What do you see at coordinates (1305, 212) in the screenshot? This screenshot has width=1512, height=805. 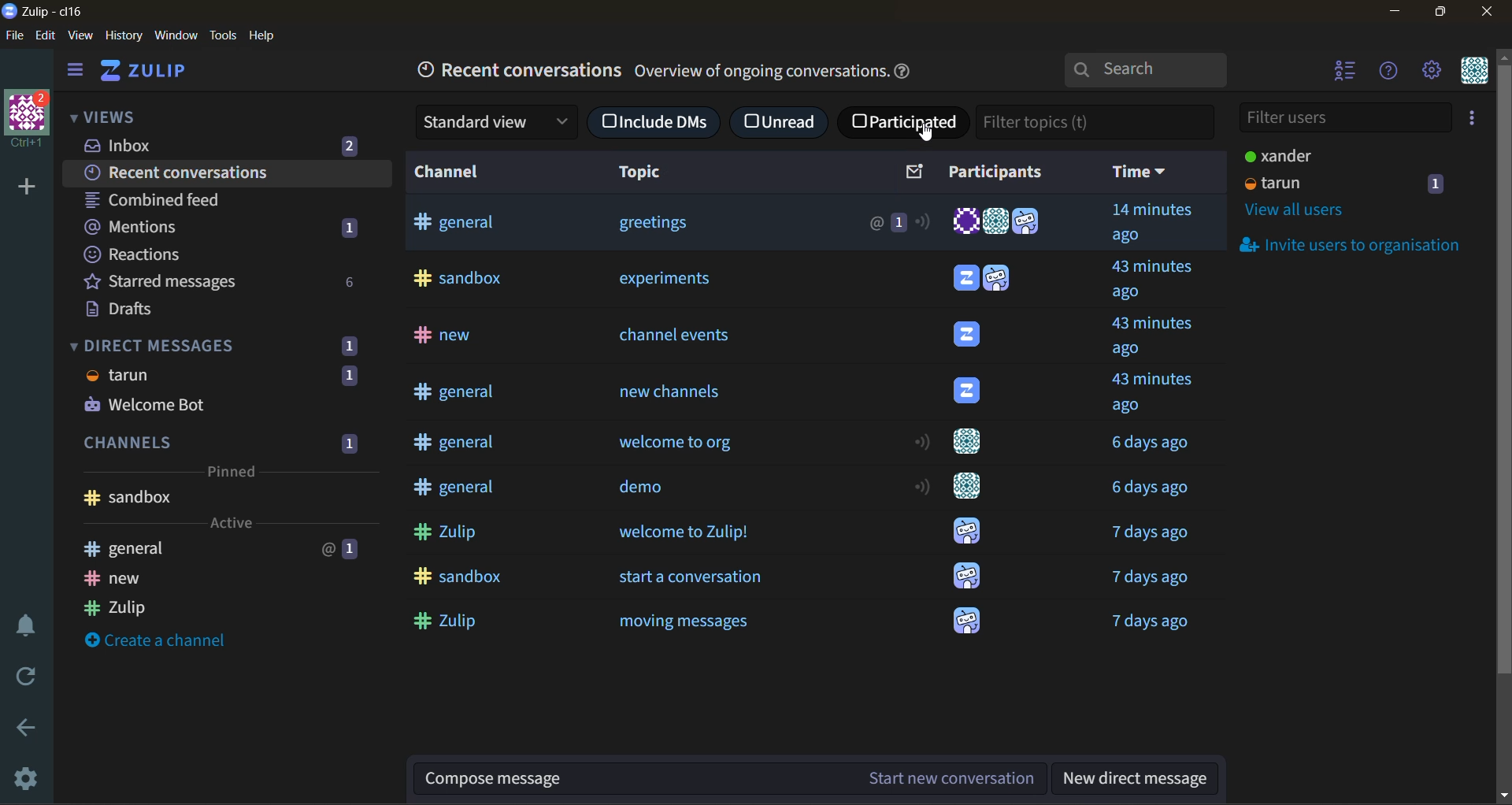 I see `view all users` at bounding box center [1305, 212].